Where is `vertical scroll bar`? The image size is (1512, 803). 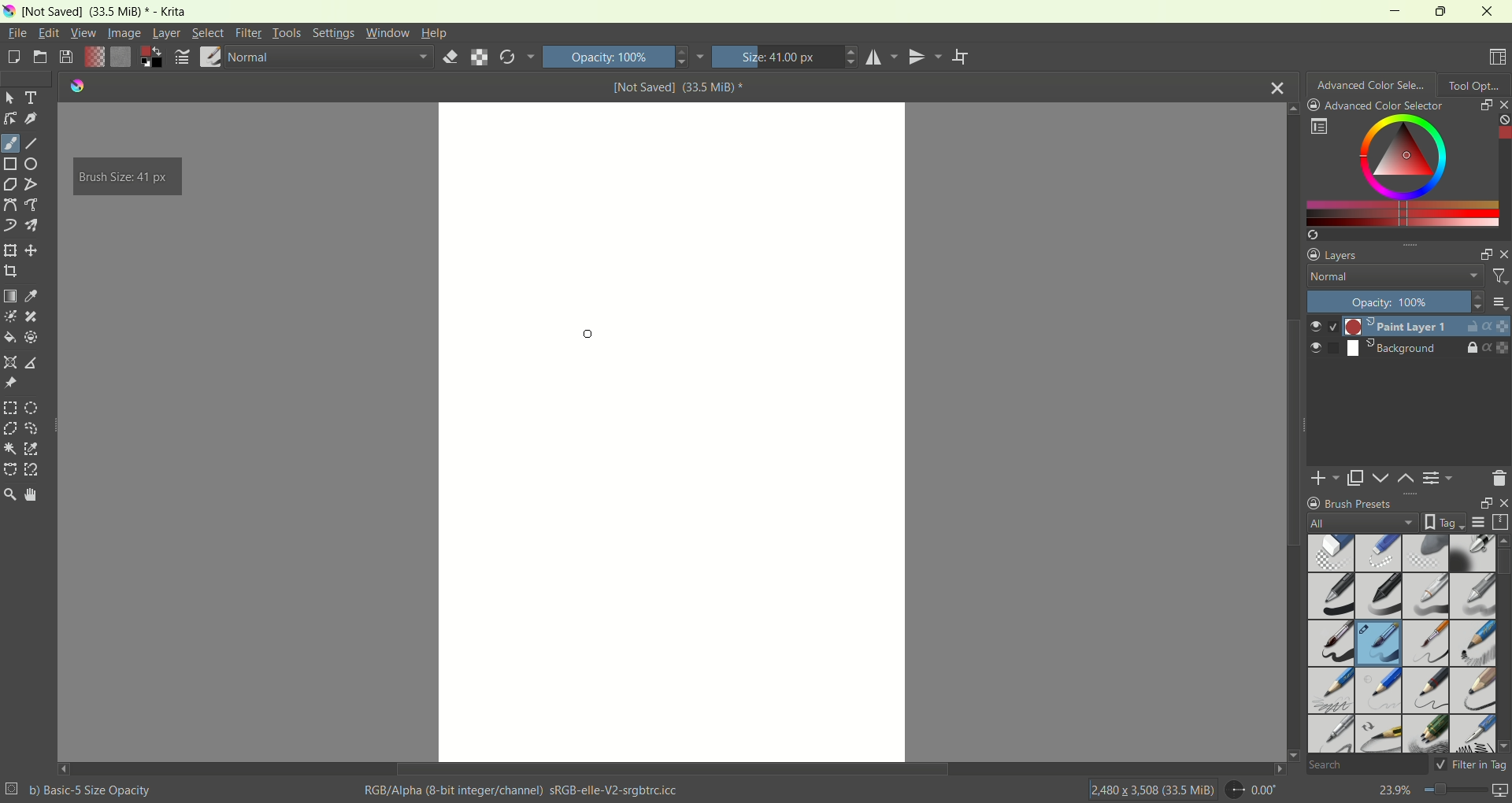
vertical scroll bar is located at coordinates (1503, 169).